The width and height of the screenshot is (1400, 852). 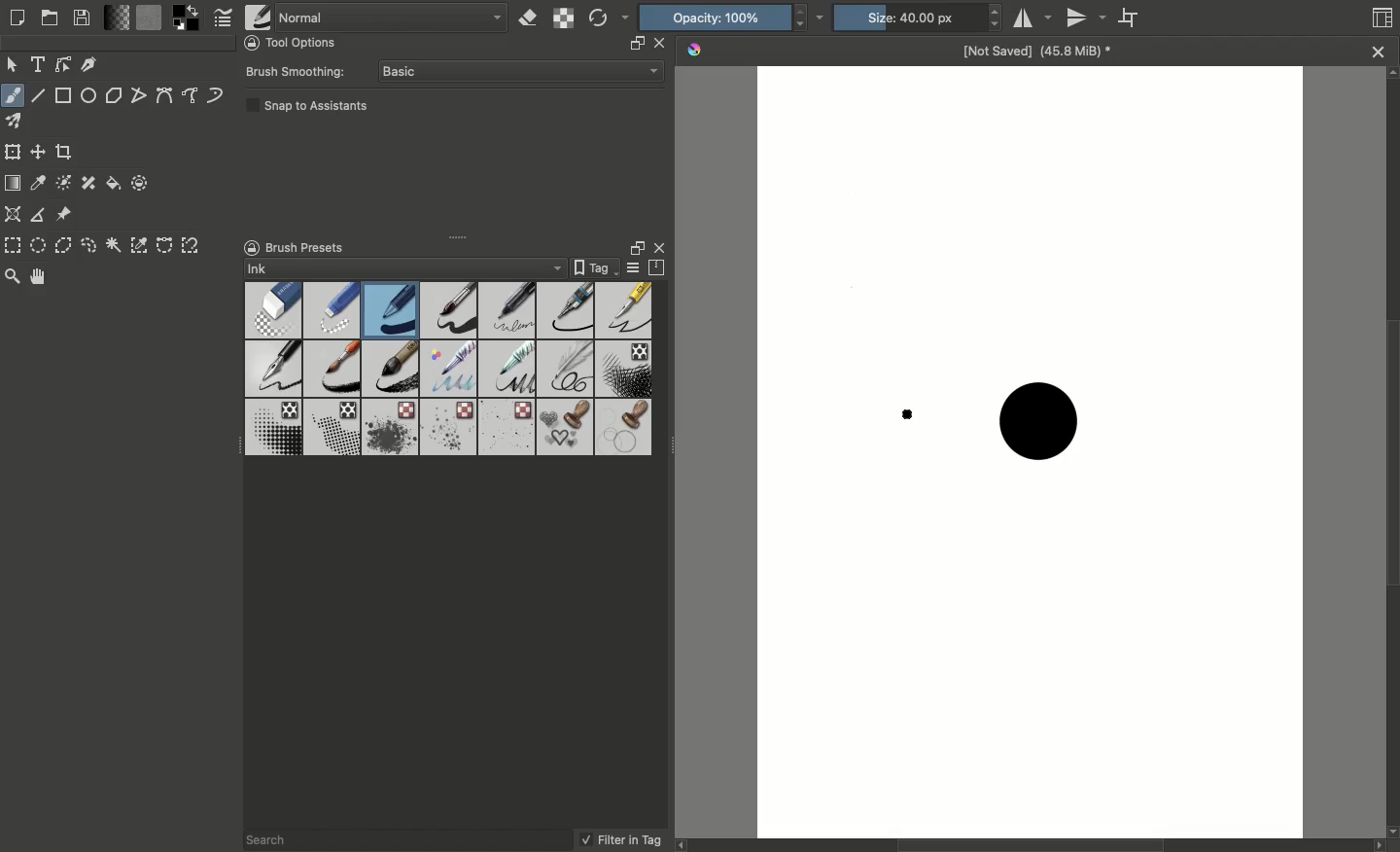 What do you see at coordinates (664, 247) in the screenshot?
I see `Close` at bounding box center [664, 247].